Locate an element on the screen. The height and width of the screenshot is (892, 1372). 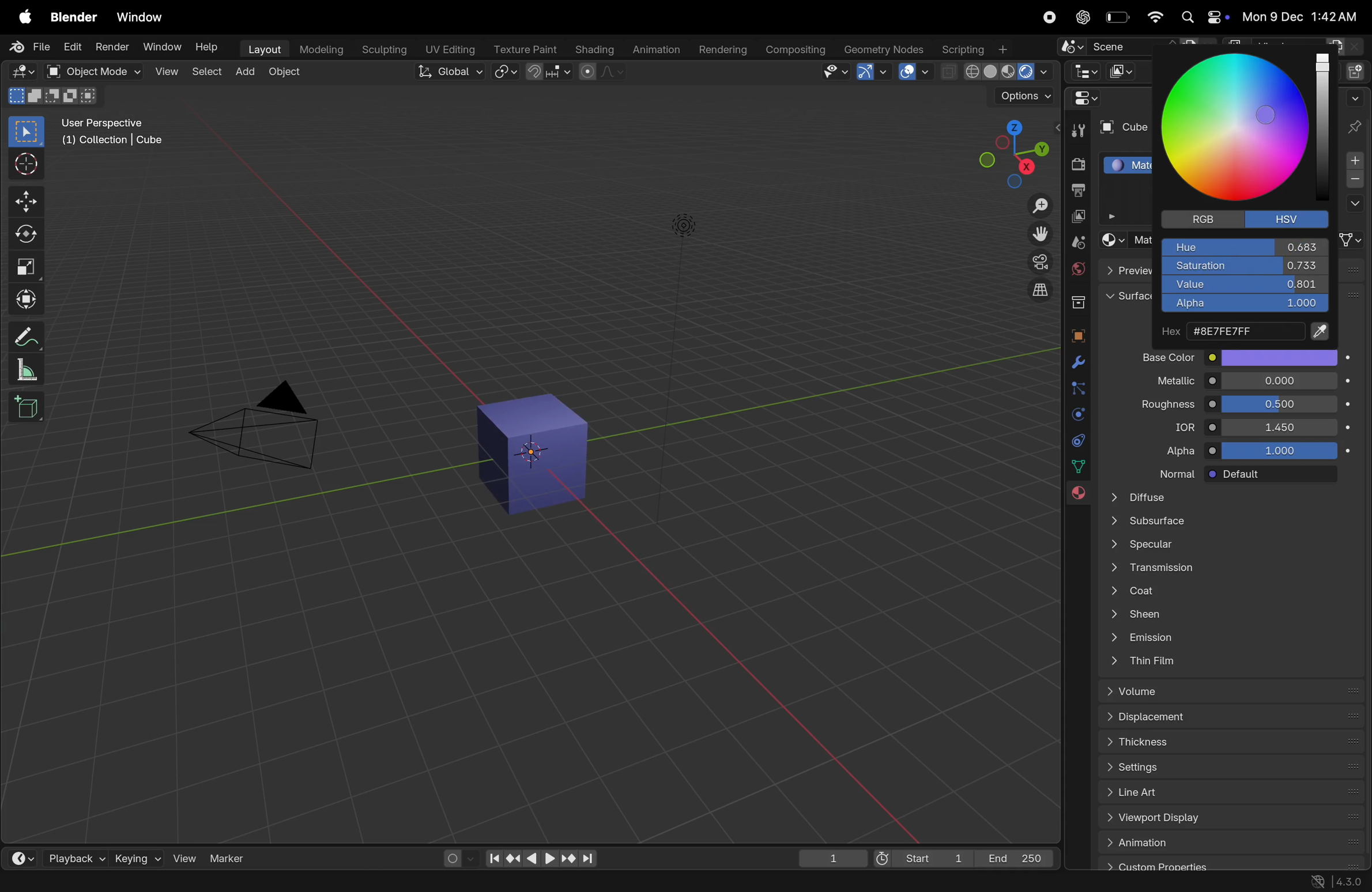
alpha is located at coordinates (1168, 451).